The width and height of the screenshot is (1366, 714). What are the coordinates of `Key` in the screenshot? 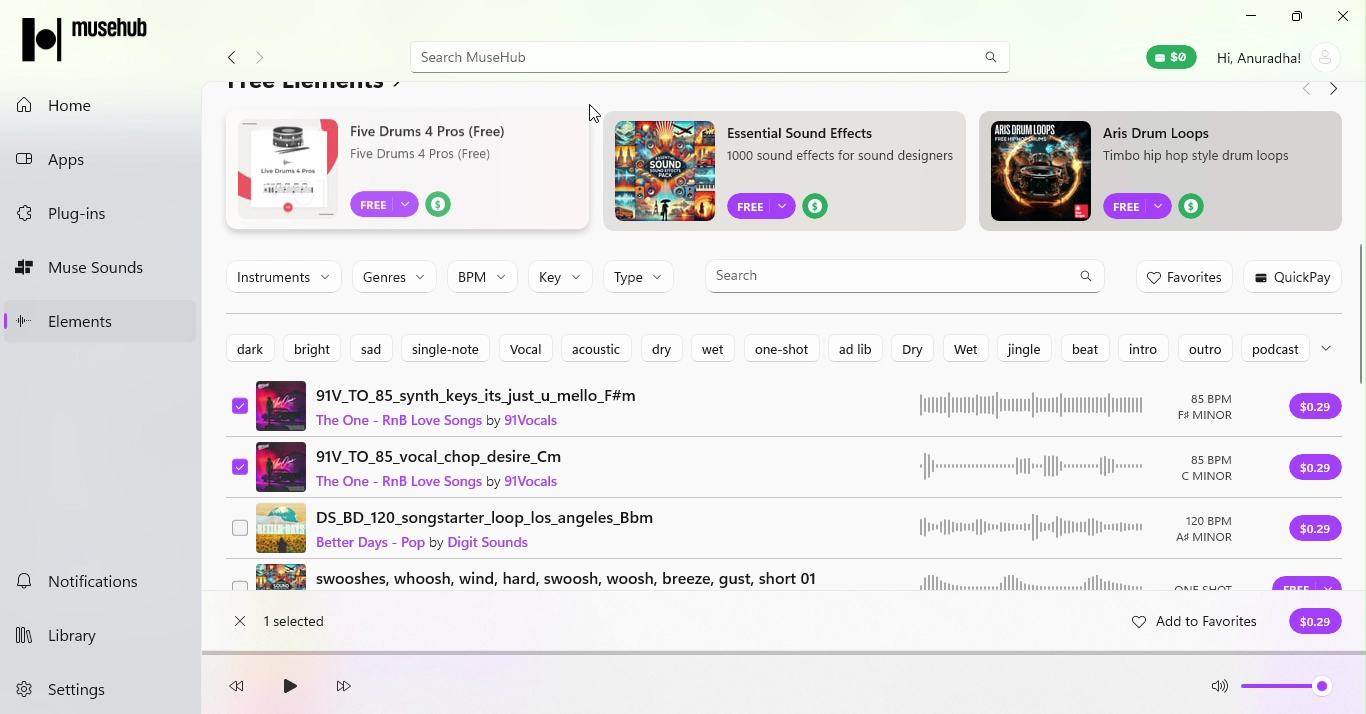 It's located at (560, 278).